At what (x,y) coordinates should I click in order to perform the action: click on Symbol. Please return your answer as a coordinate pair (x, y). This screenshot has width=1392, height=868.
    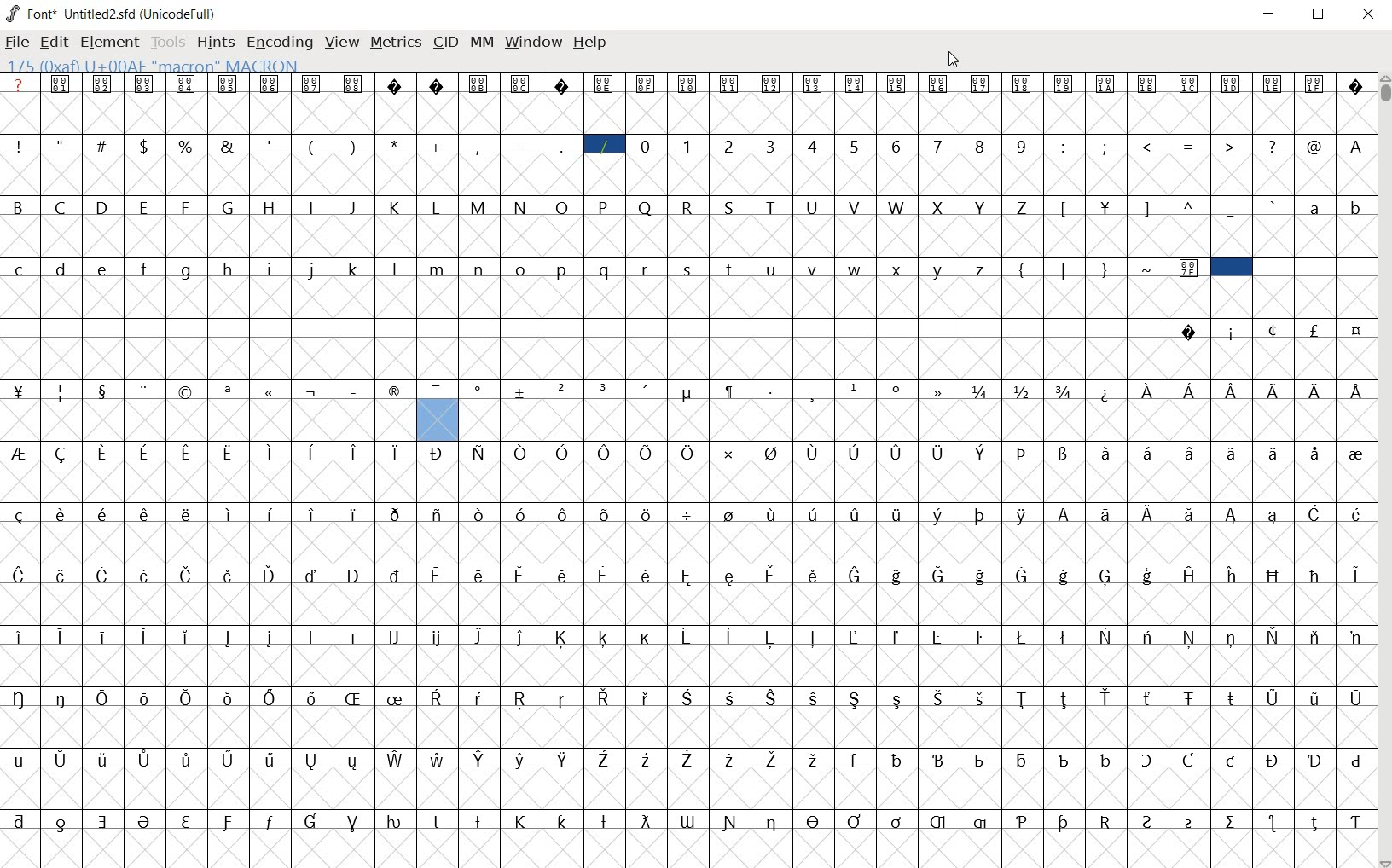
    Looking at the image, I should click on (1232, 333).